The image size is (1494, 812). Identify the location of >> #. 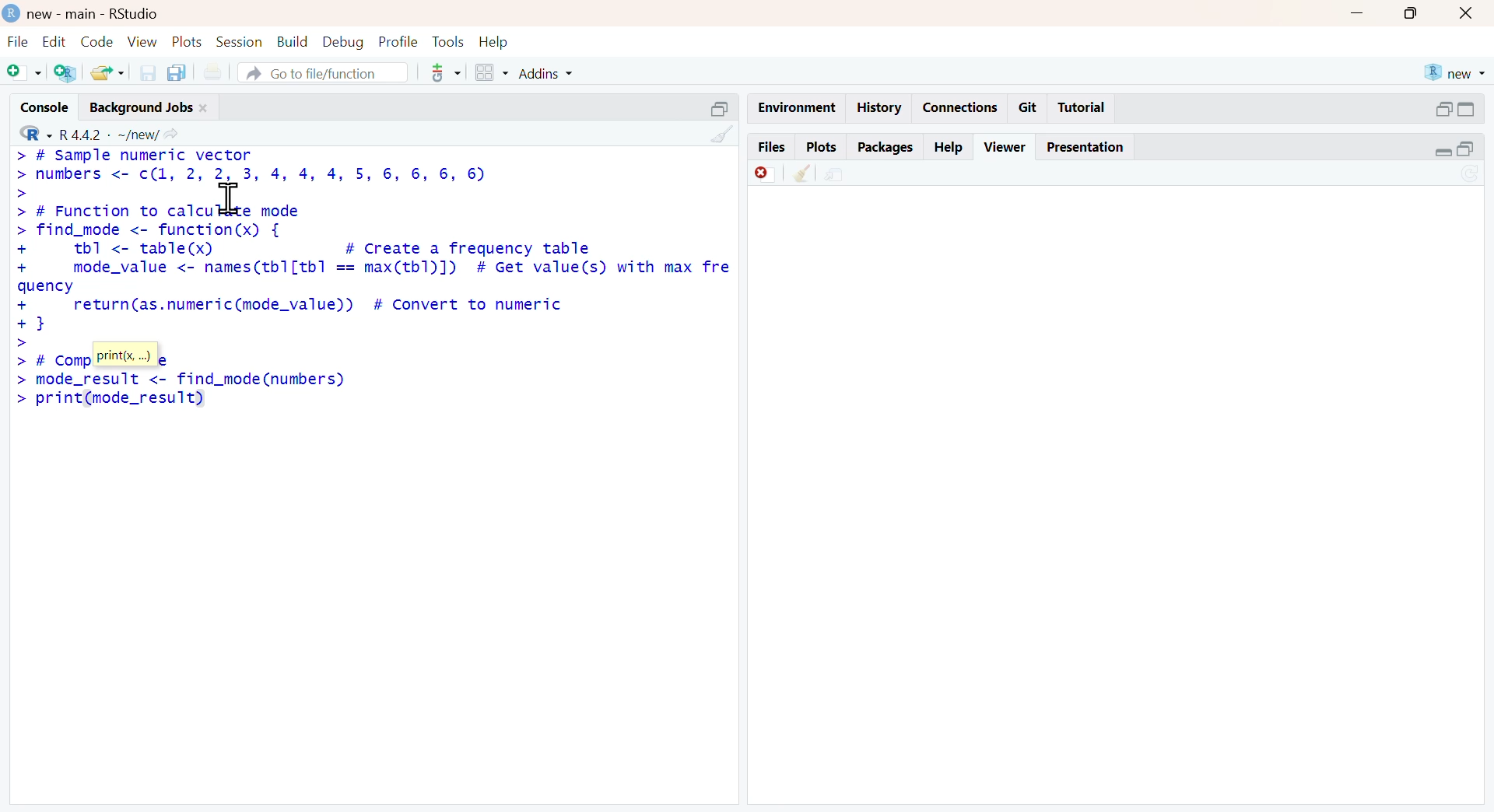
(33, 352).